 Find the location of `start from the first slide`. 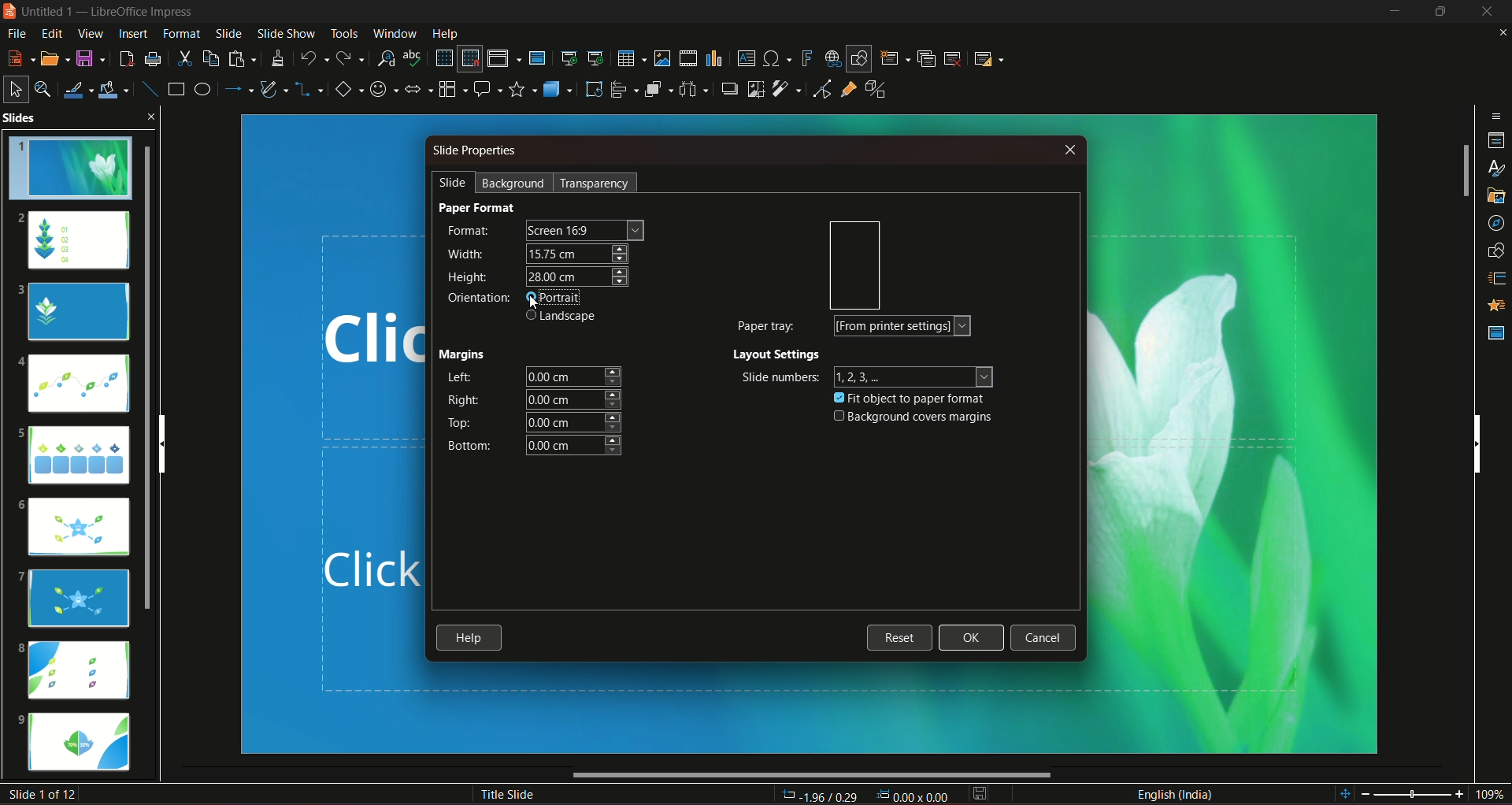

start from the first slide is located at coordinates (569, 56).